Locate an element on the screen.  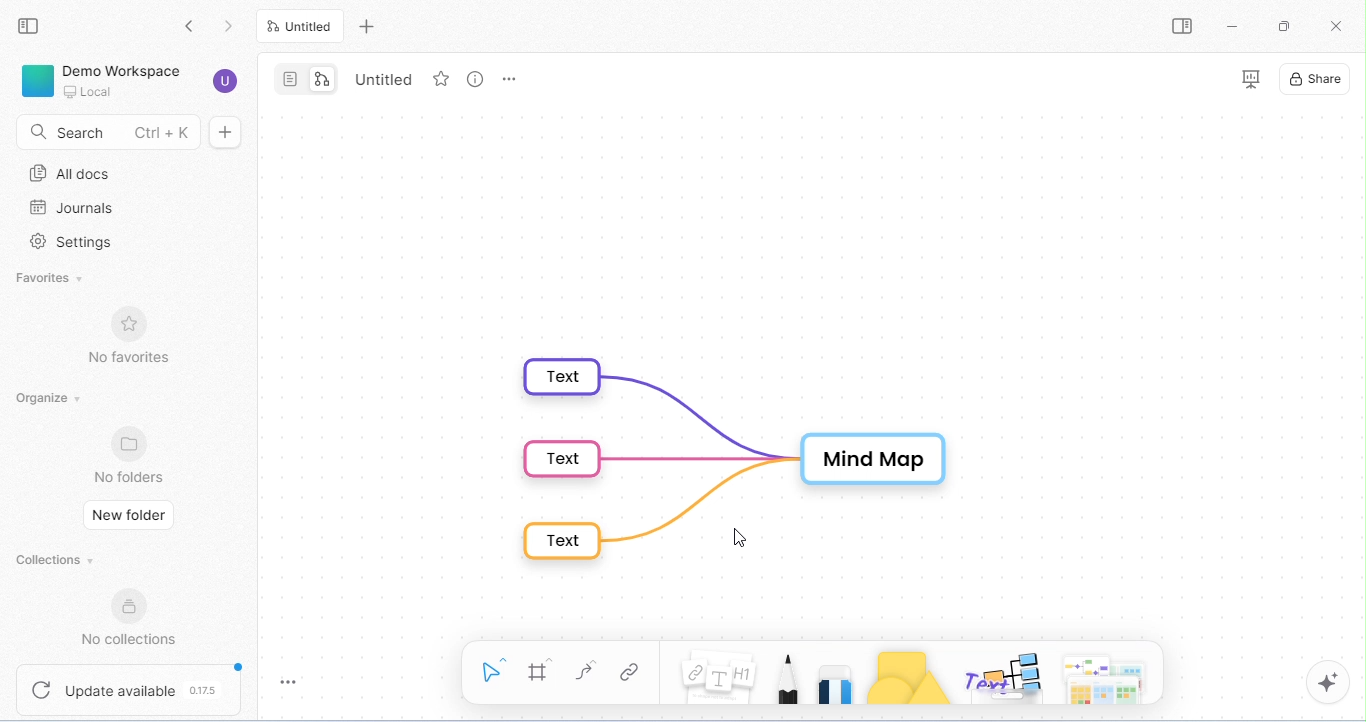
tab name is located at coordinates (392, 79).